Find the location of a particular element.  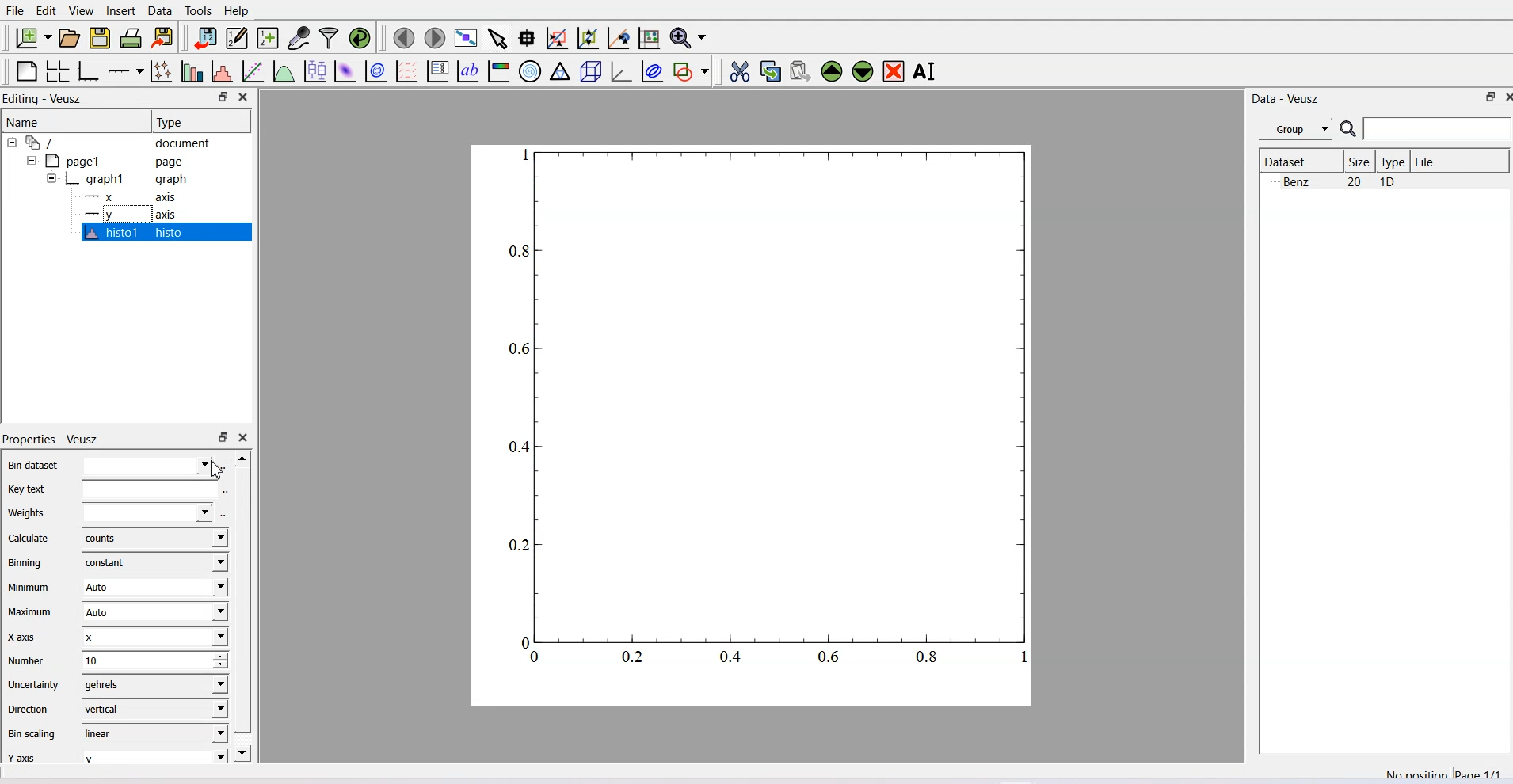

View is located at coordinates (82, 11).